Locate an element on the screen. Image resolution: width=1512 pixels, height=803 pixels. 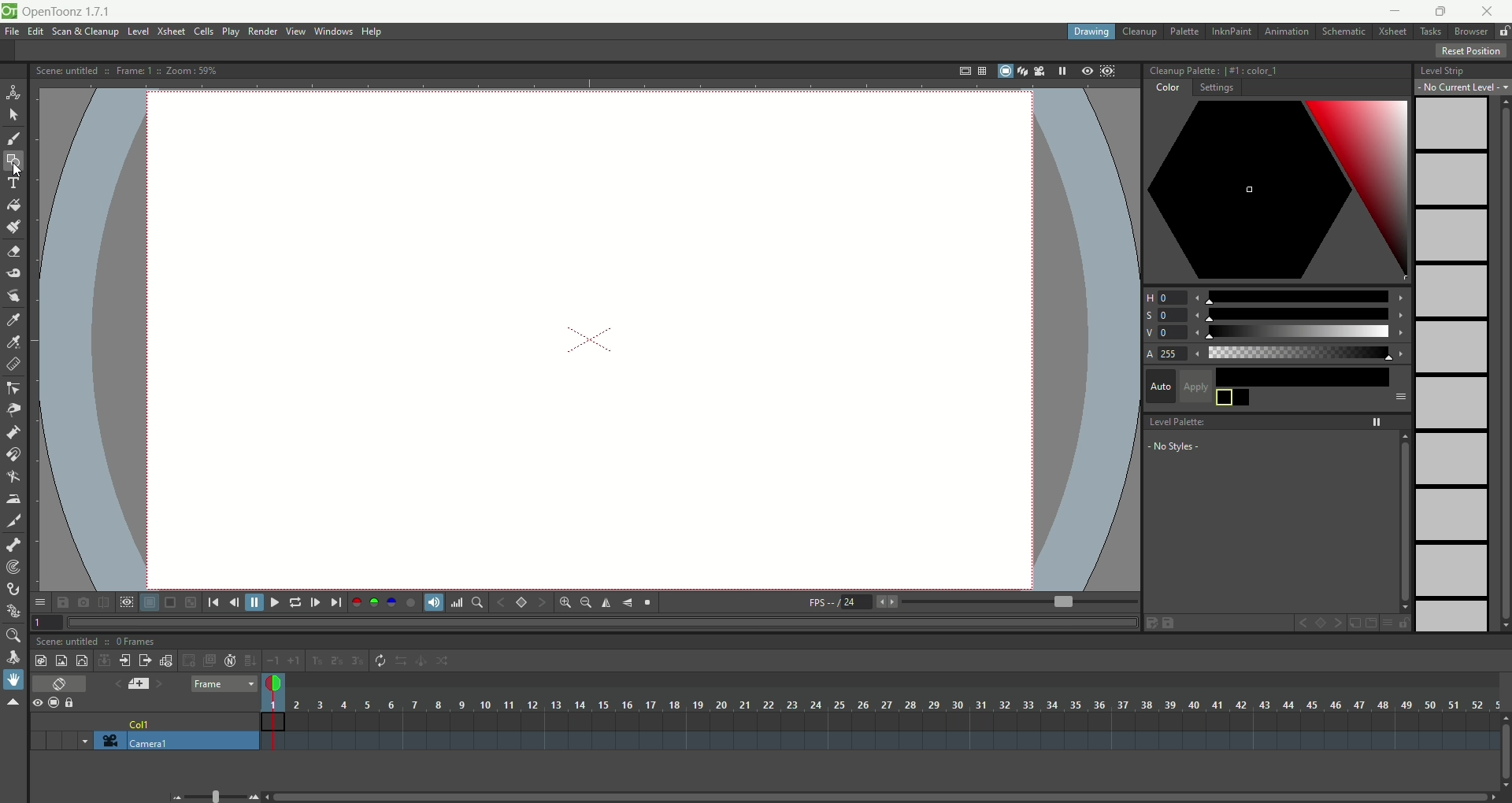
no current level is located at coordinates (1463, 87).